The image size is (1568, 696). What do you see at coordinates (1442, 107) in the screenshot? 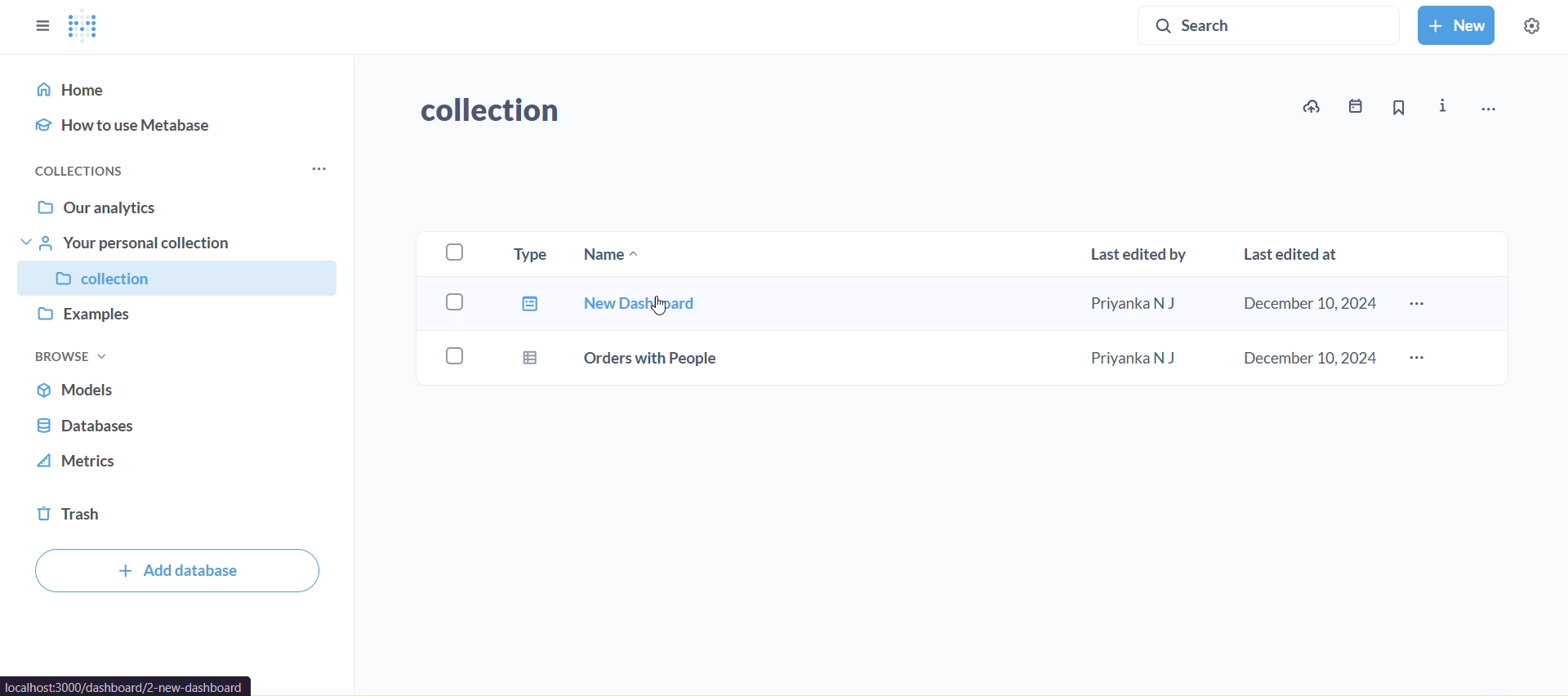
I see `info` at bounding box center [1442, 107].